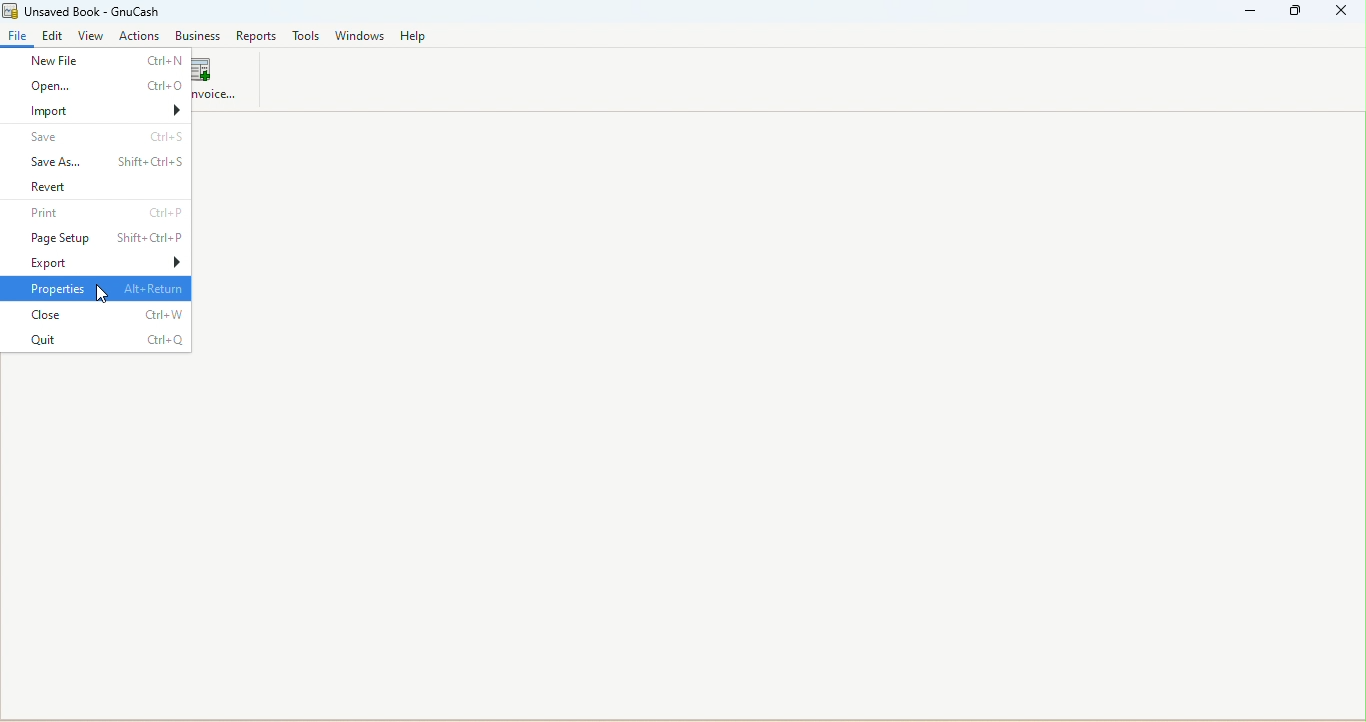 This screenshot has height=722, width=1366. What do you see at coordinates (93, 36) in the screenshot?
I see `View` at bounding box center [93, 36].